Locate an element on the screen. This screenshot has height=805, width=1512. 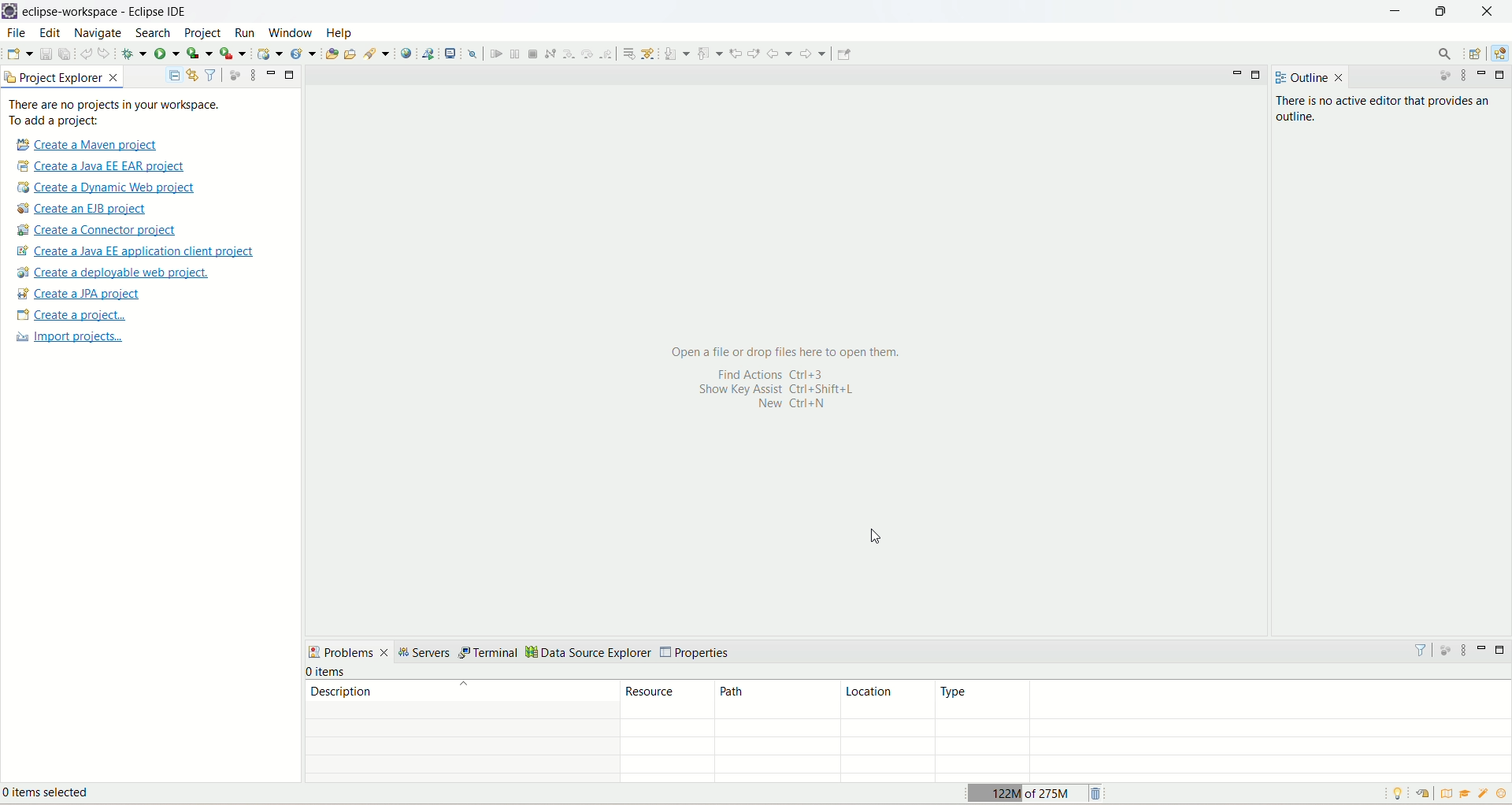
link with editor is located at coordinates (193, 75).